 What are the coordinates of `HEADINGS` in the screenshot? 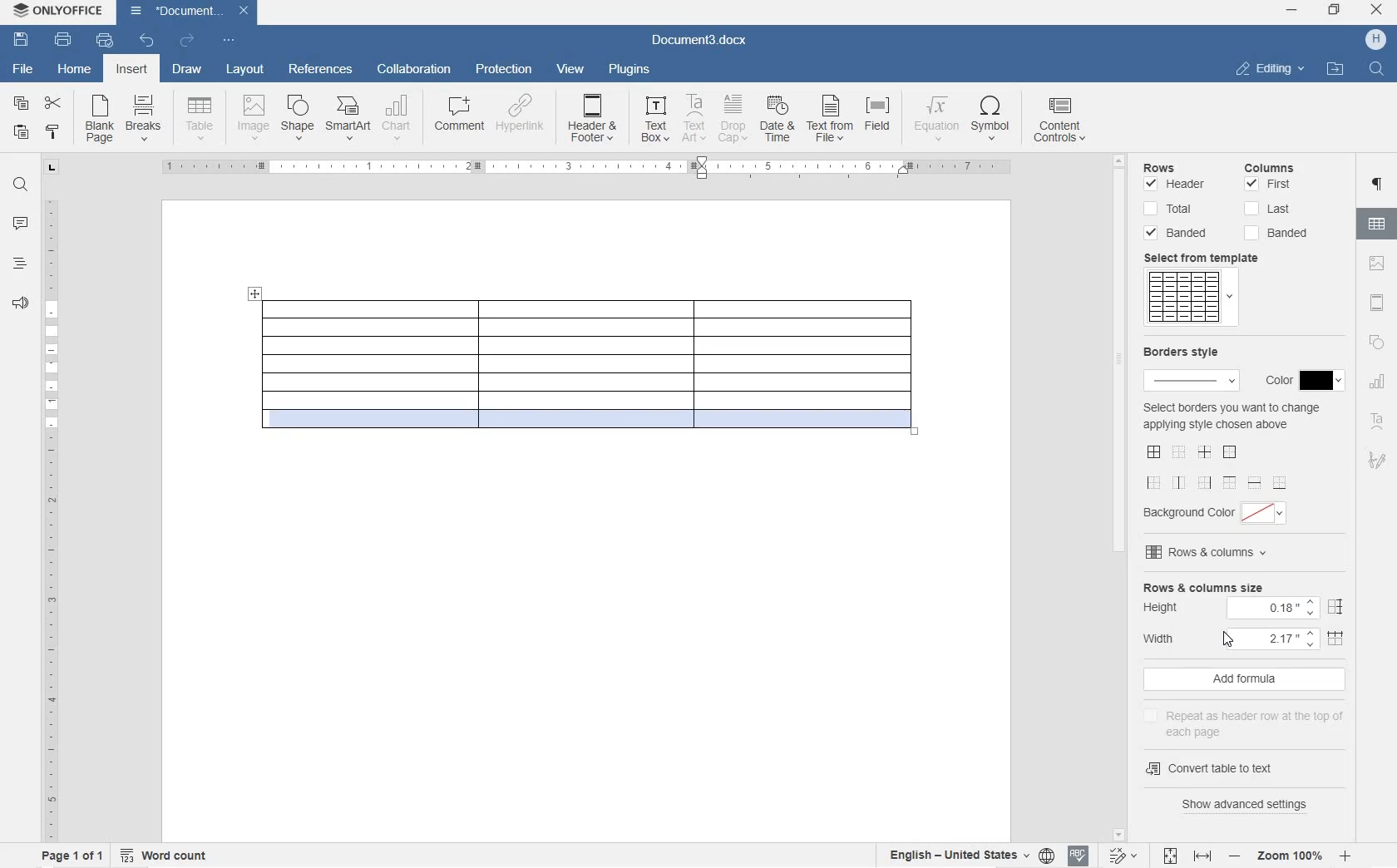 It's located at (17, 264).